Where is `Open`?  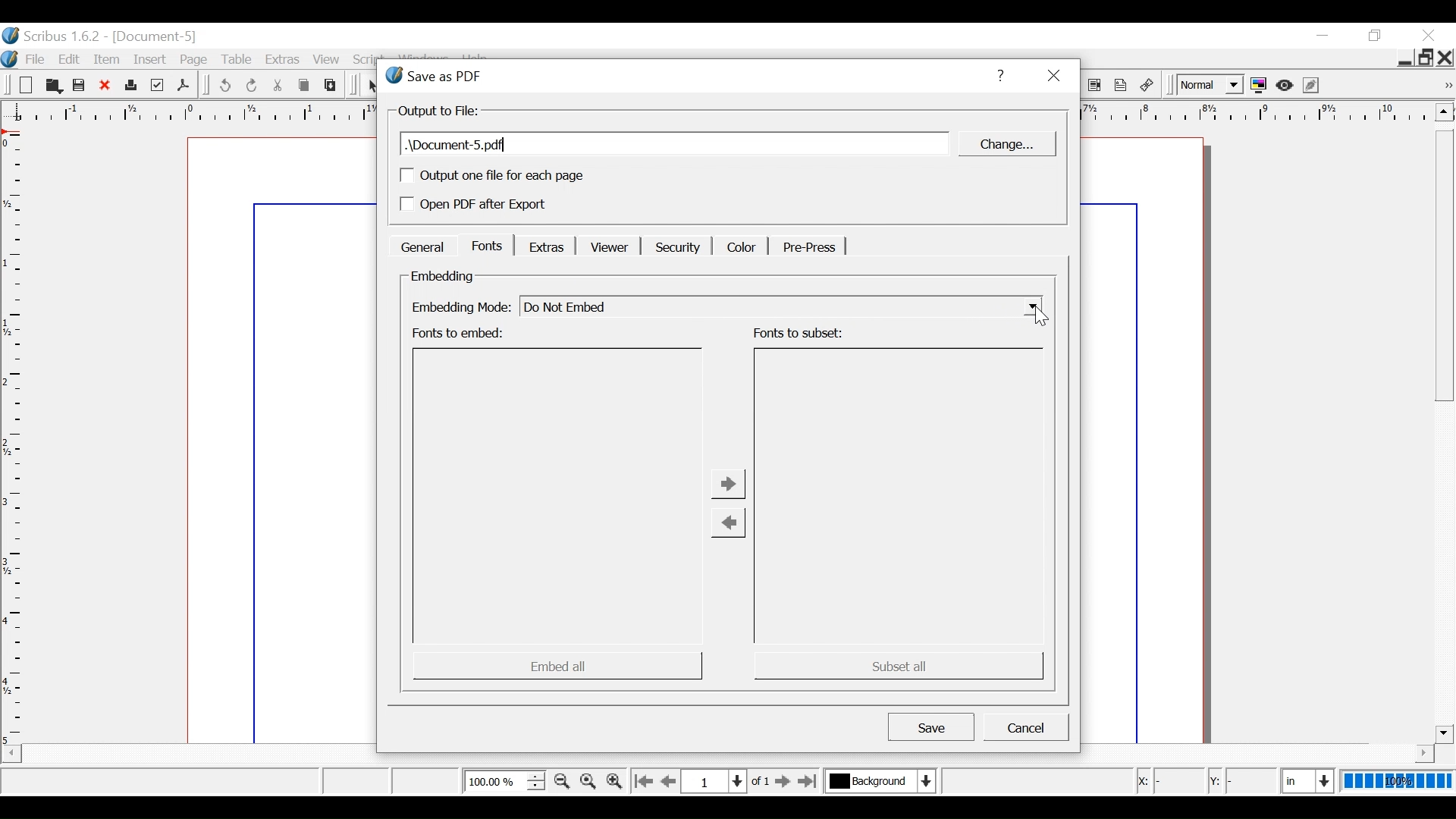
Open is located at coordinates (52, 86).